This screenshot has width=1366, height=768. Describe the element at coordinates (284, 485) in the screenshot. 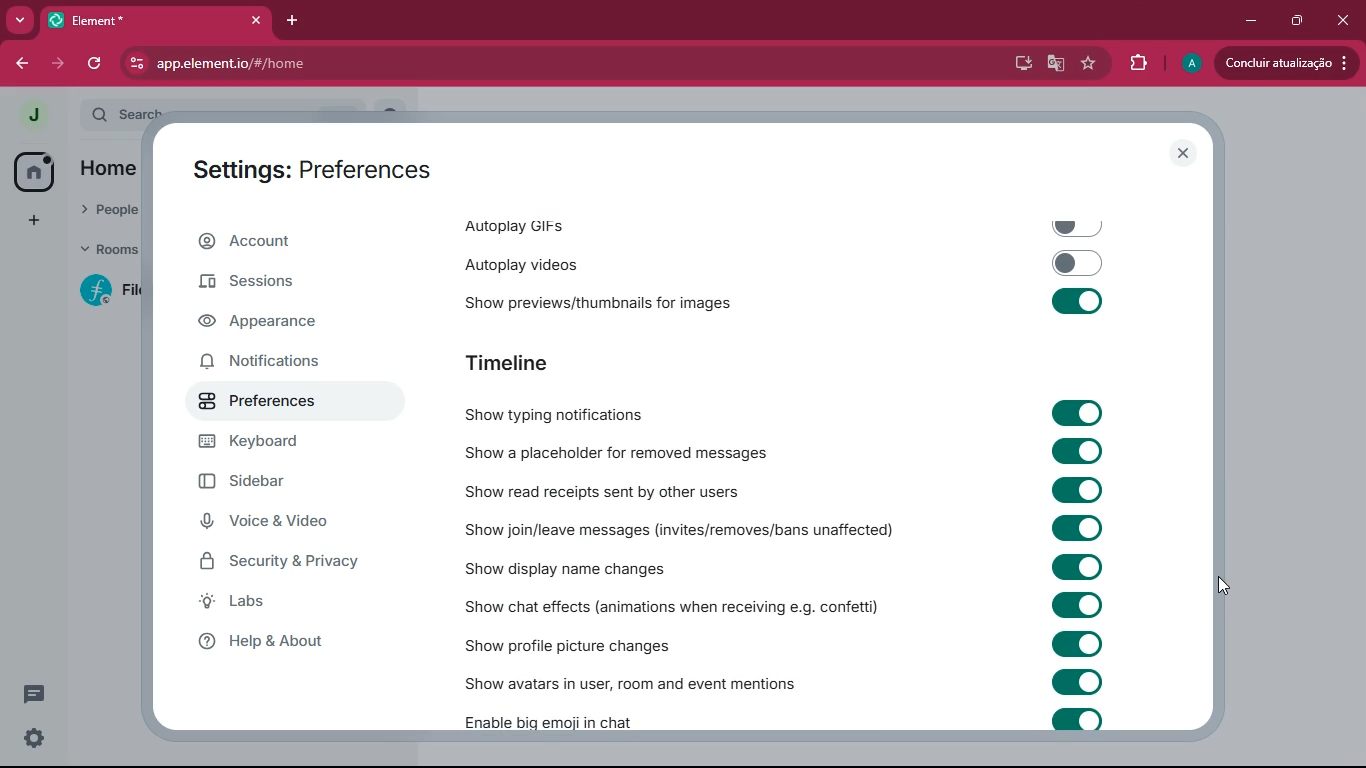

I see `sidebar` at that location.